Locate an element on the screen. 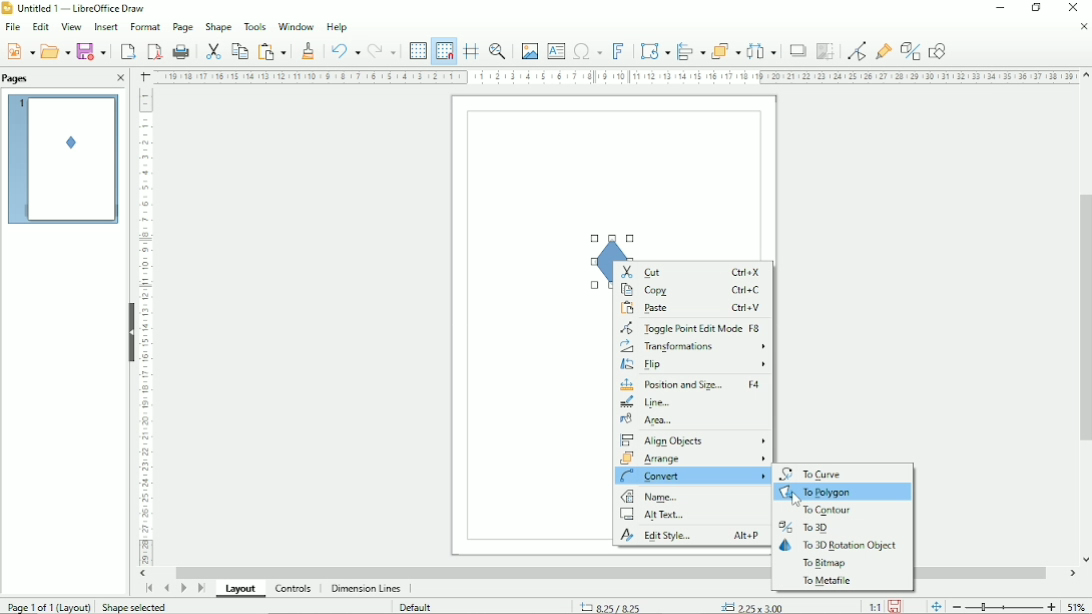 The height and width of the screenshot is (614, 1092). Cut is located at coordinates (212, 50).